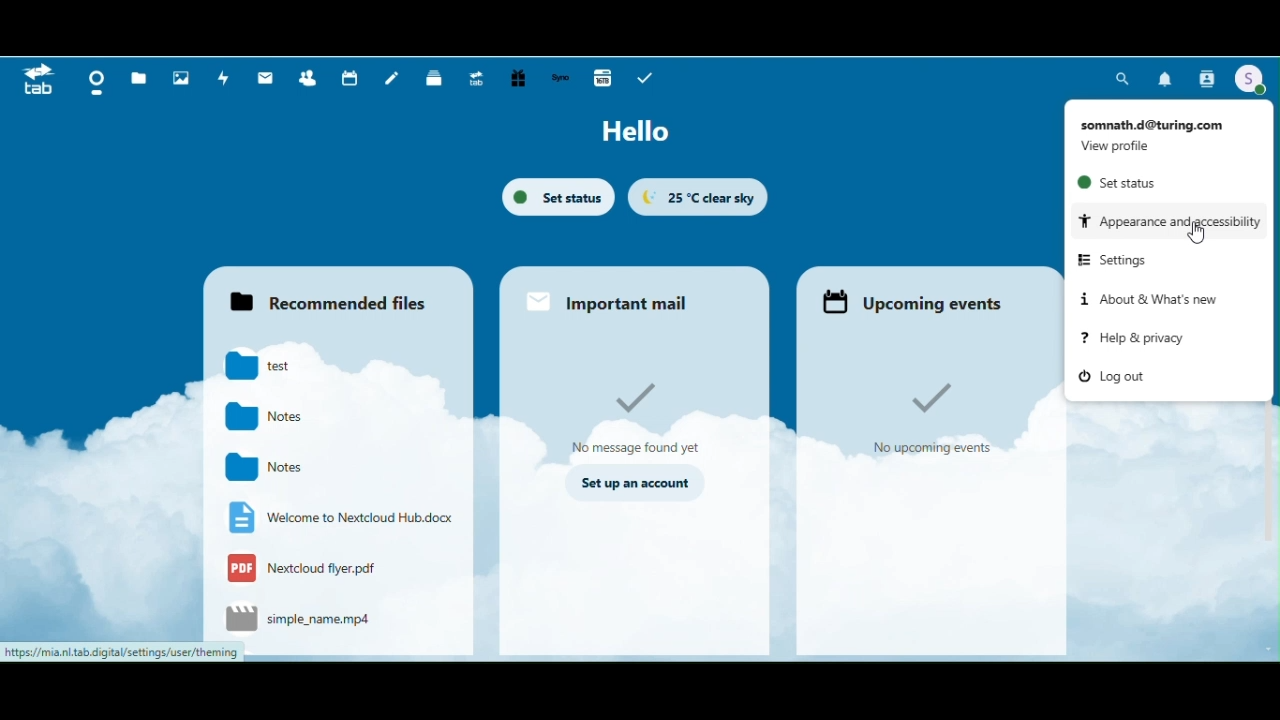  I want to click on About and what's new, so click(1146, 298).